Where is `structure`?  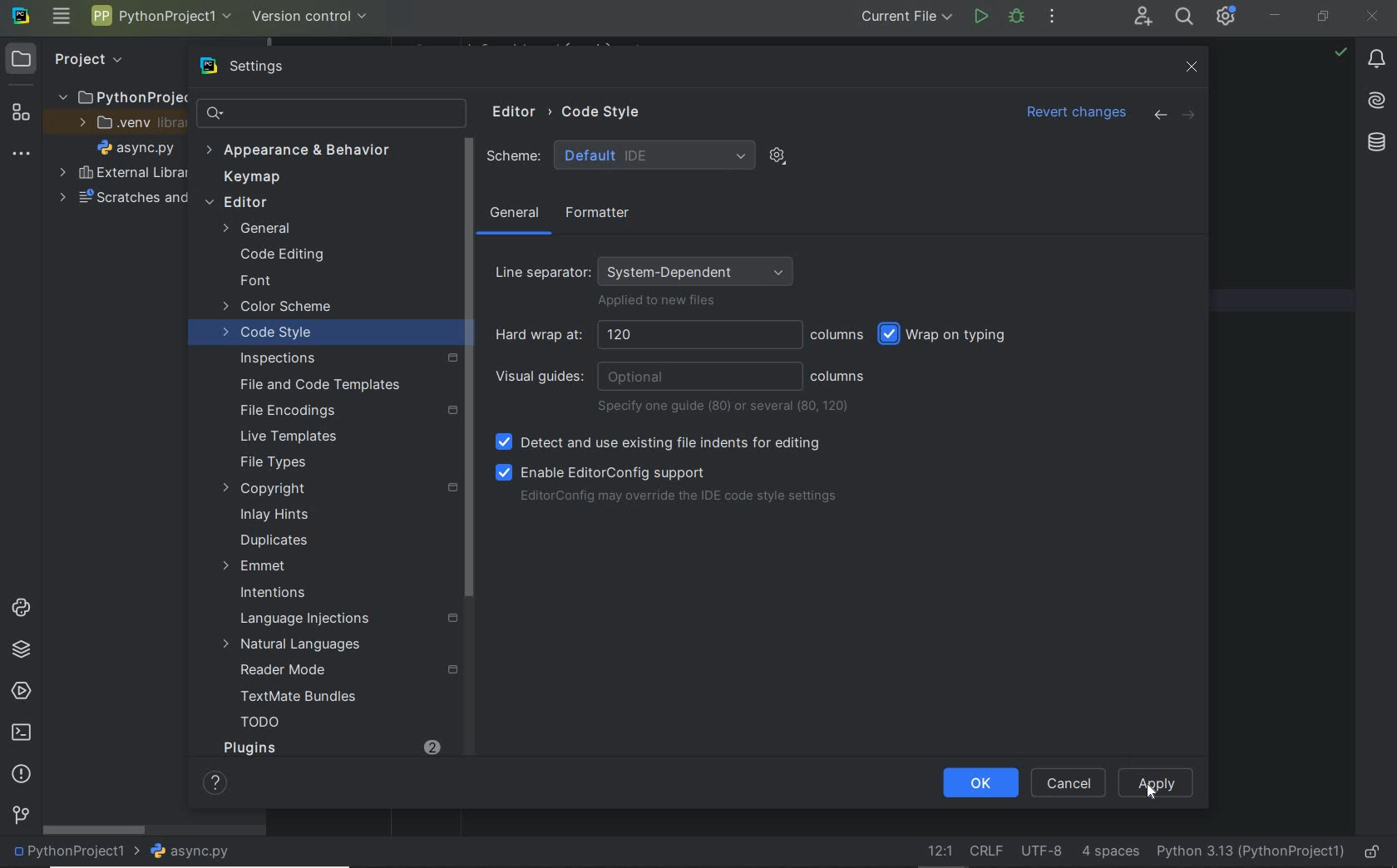 structure is located at coordinates (20, 116).